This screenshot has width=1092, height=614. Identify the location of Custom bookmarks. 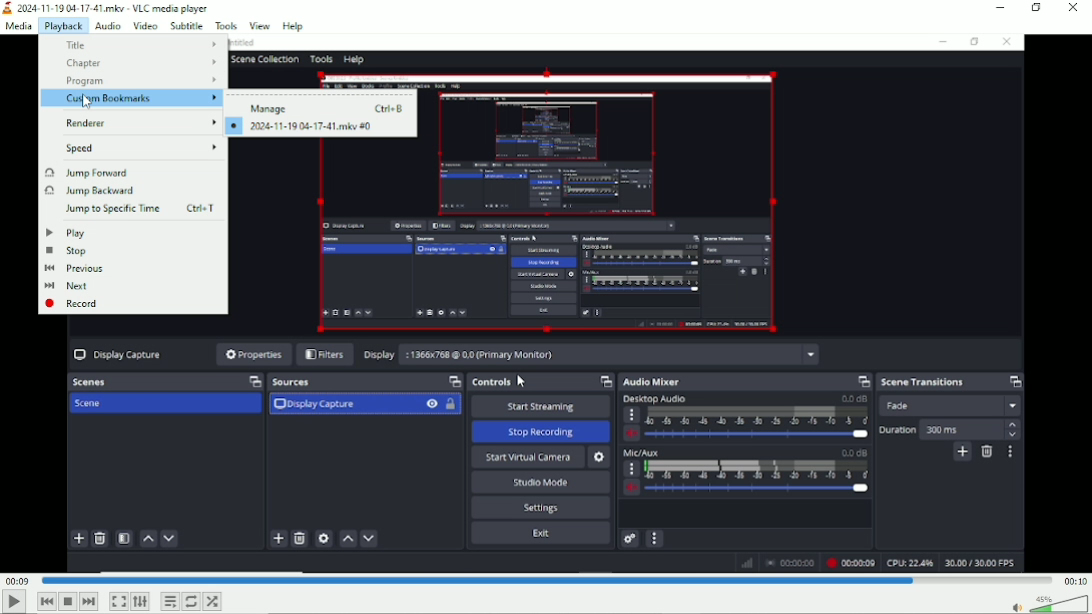
(132, 98).